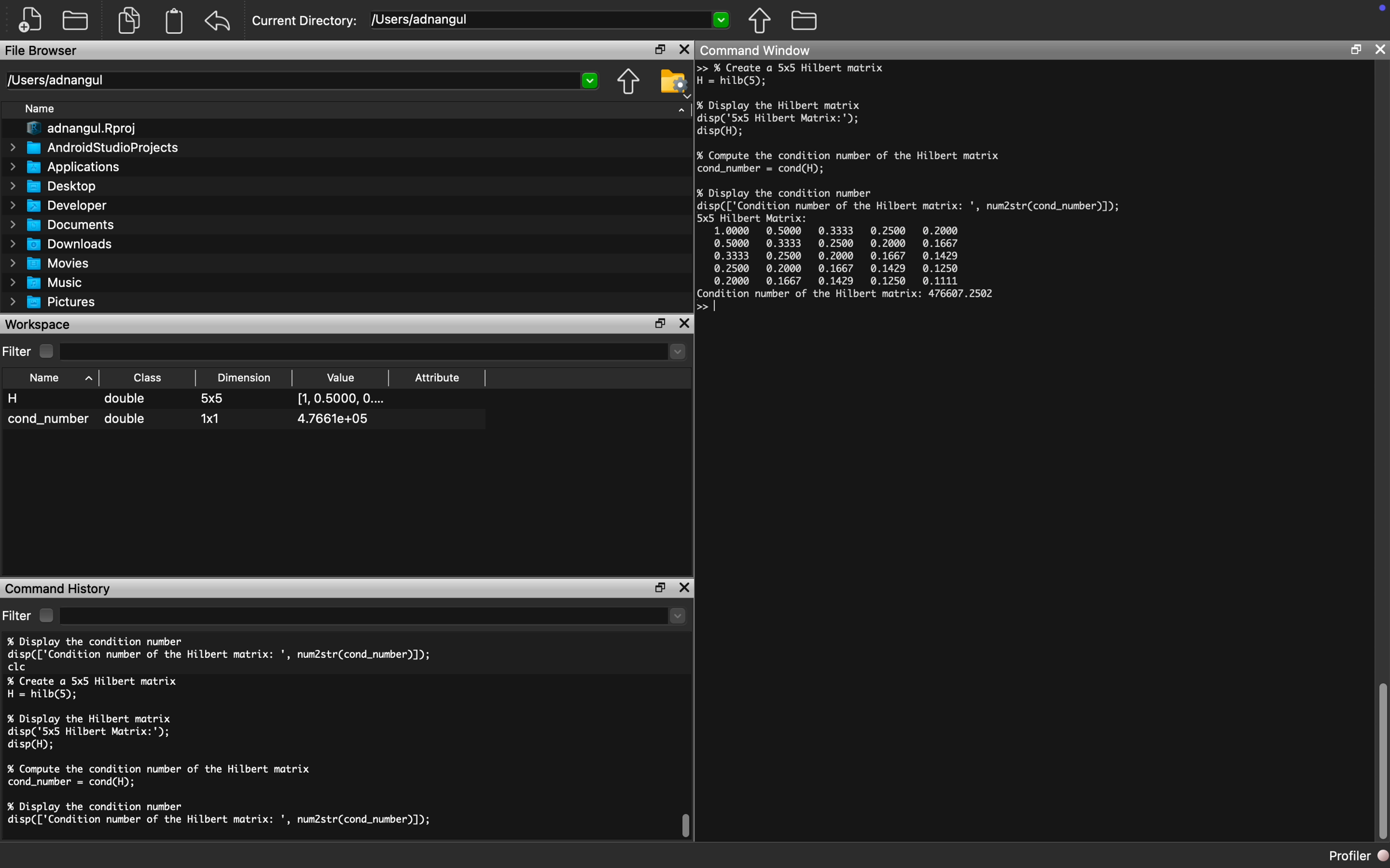 This screenshot has height=868, width=1390. What do you see at coordinates (303, 80) in the screenshot?
I see `/Users/adnangul ` at bounding box center [303, 80].